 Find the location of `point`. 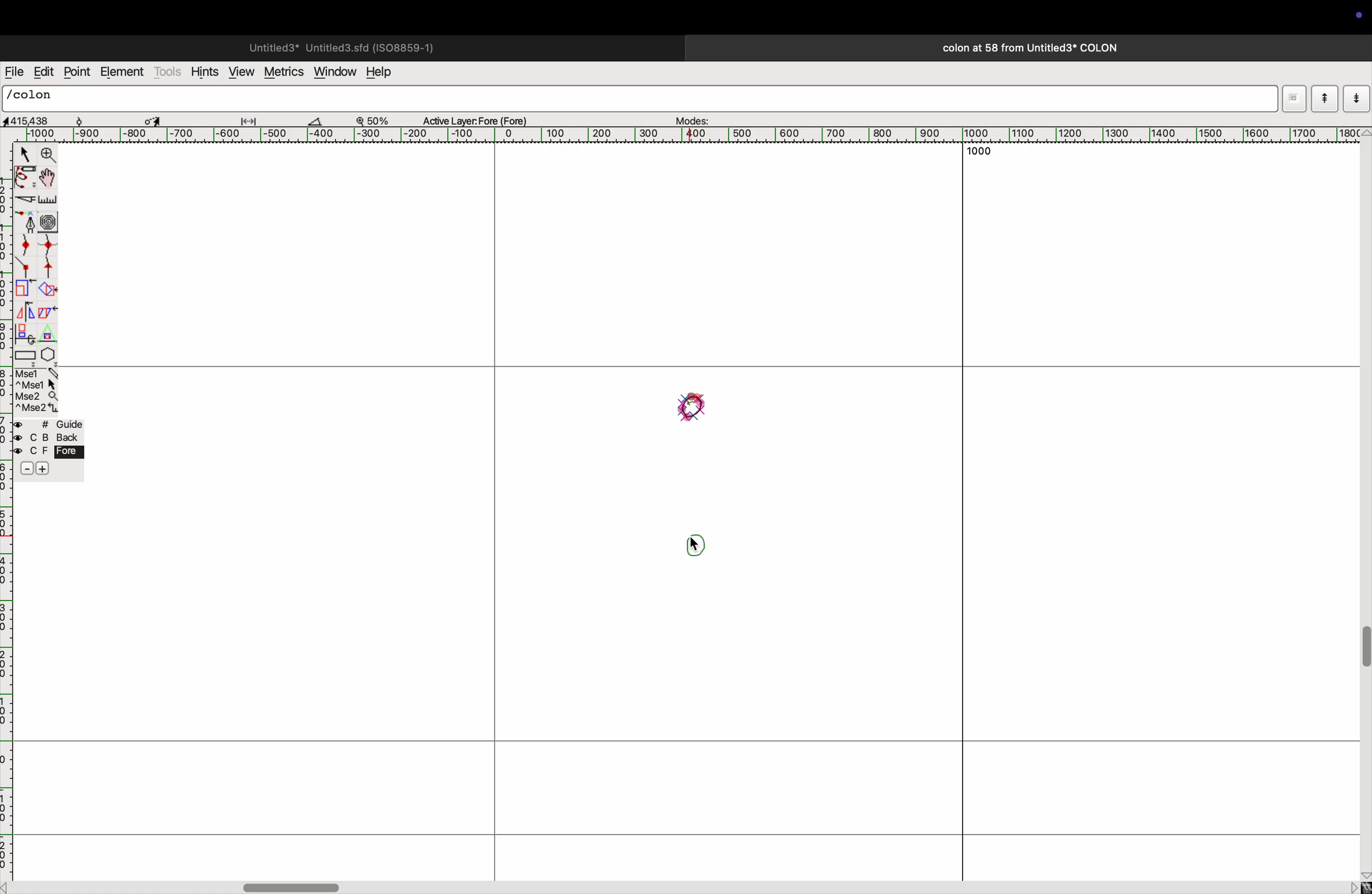

point is located at coordinates (79, 73).